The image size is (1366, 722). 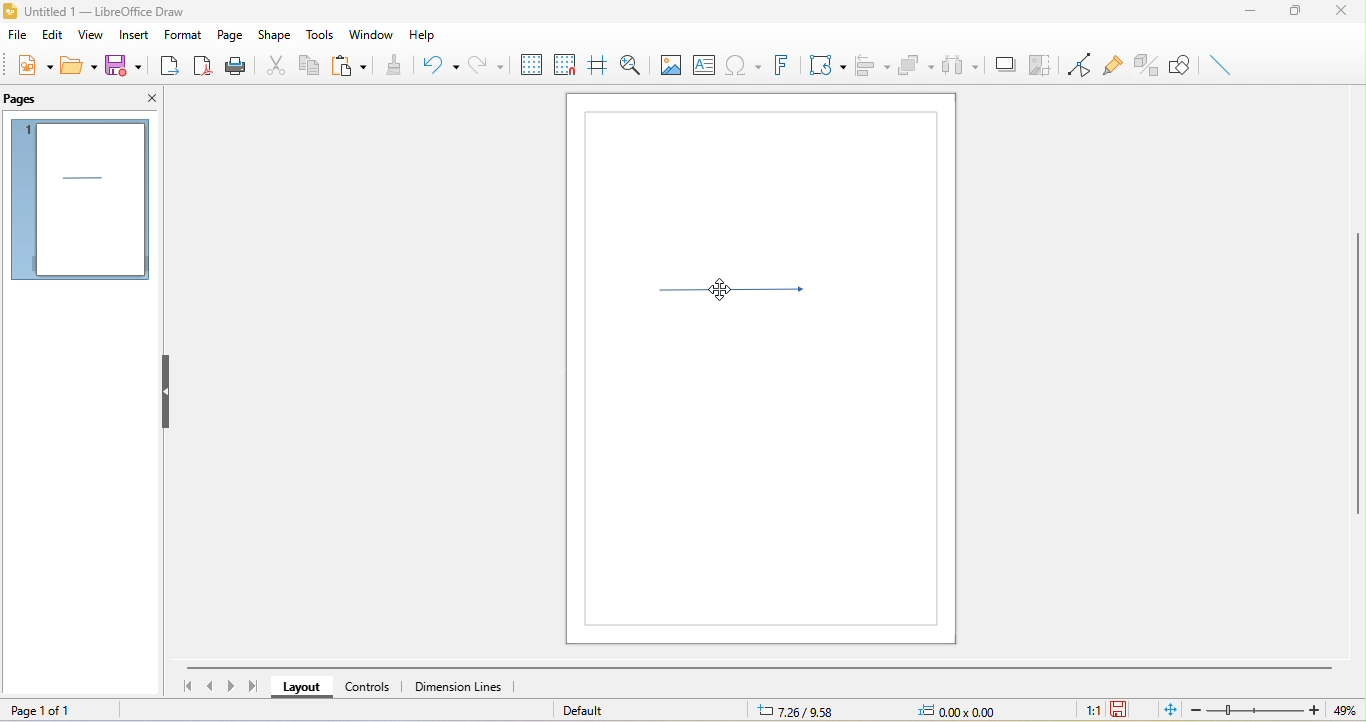 I want to click on new, so click(x=33, y=65).